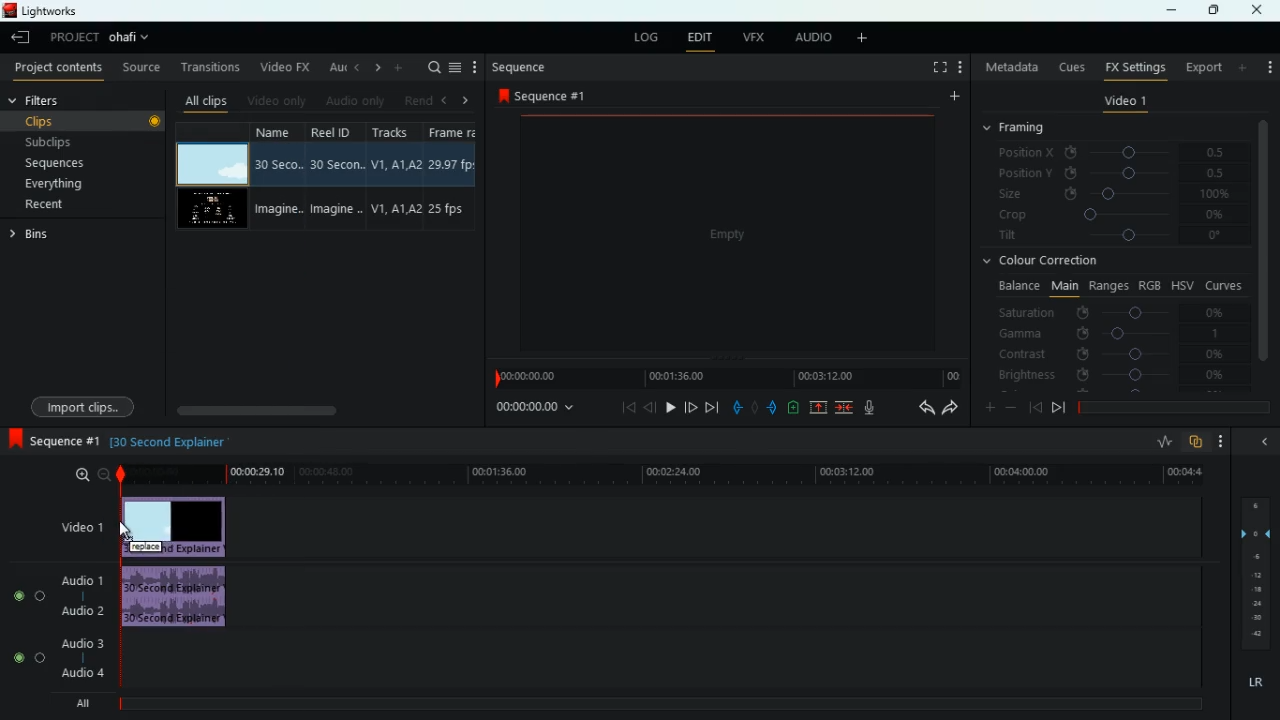 The width and height of the screenshot is (1280, 720). What do you see at coordinates (846, 407) in the screenshot?
I see `join` at bounding box center [846, 407].